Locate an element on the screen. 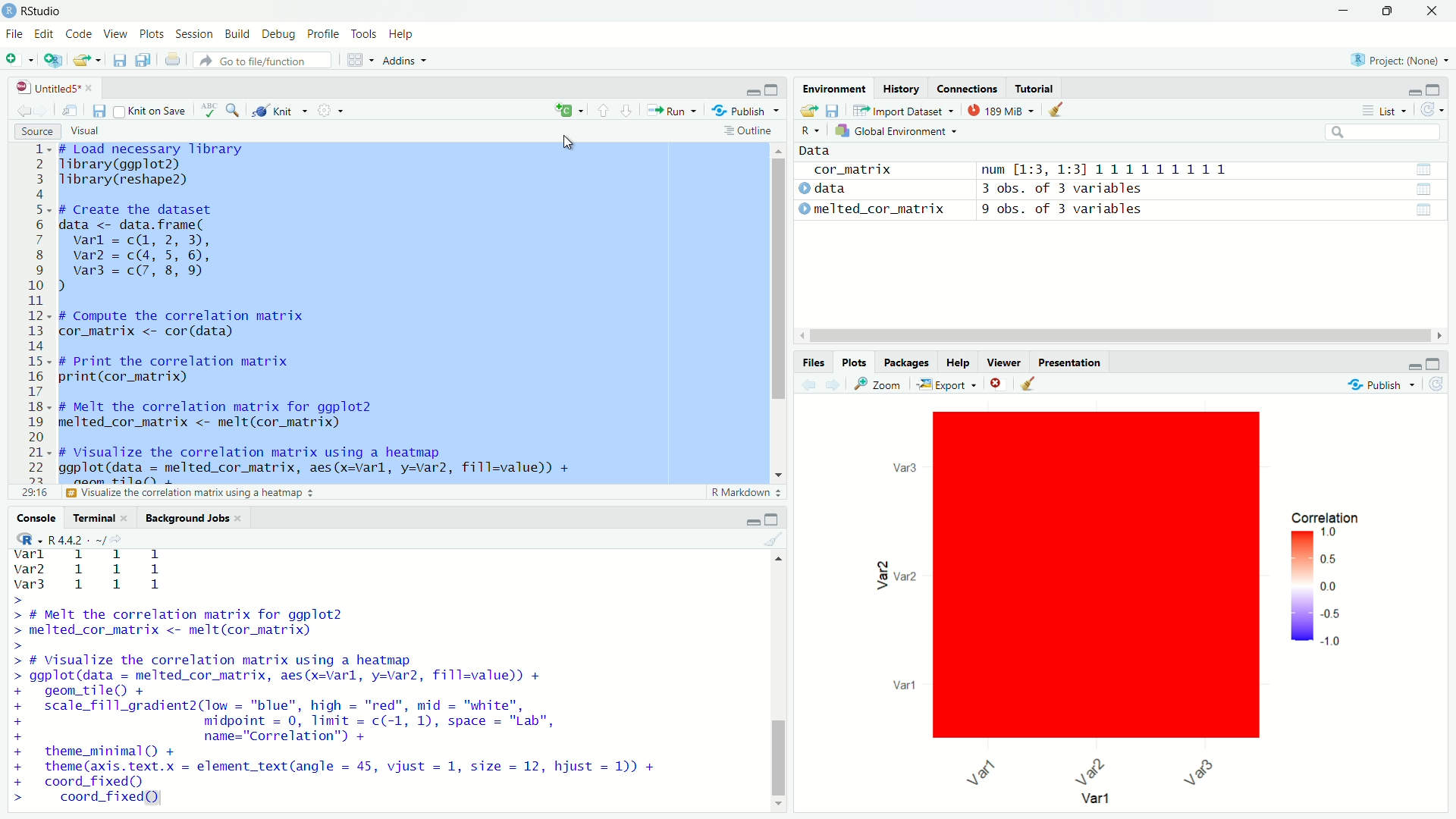  maximize is located at coordinates (1435, 364).